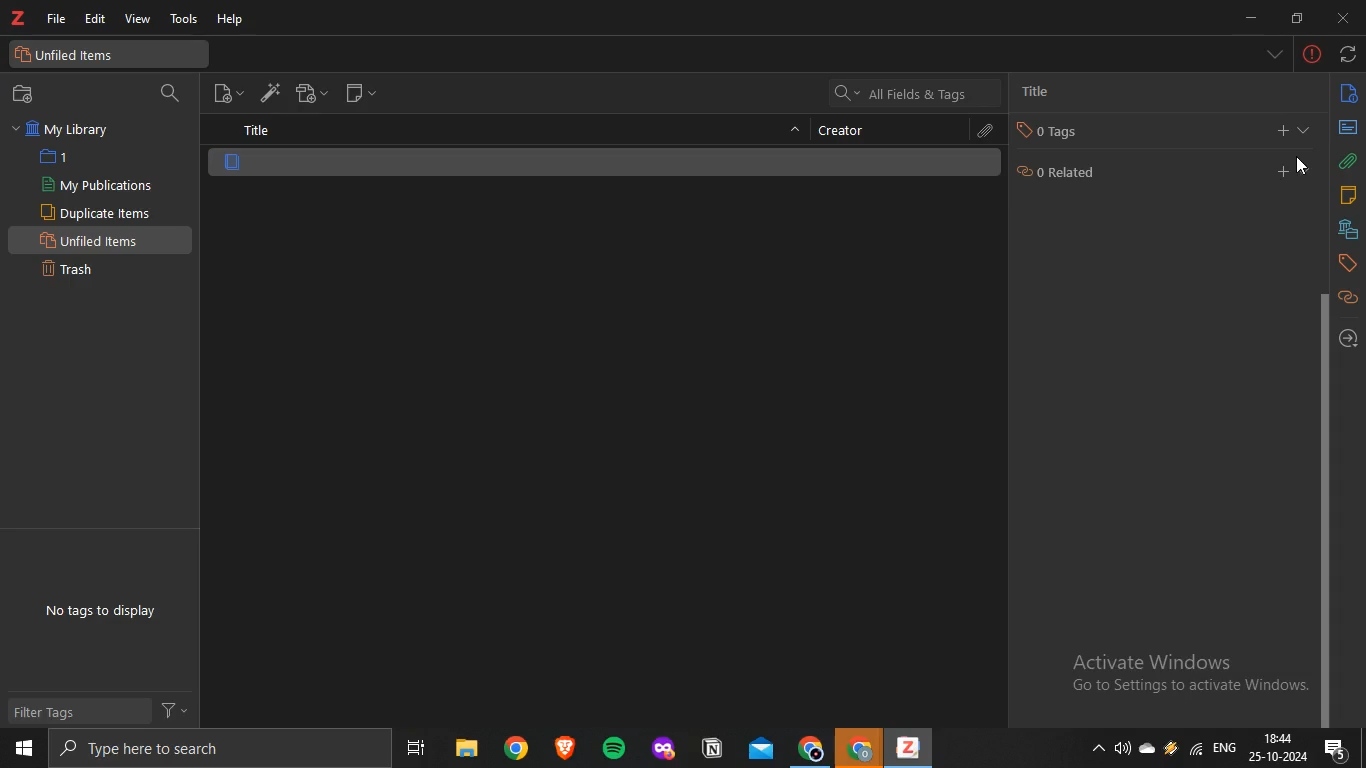 The width and height of the screenshot is (1366, 768). What do you see at coordinates (1283, 195) in the screenshot?
I see `add` at bounding box center [1283, 195].